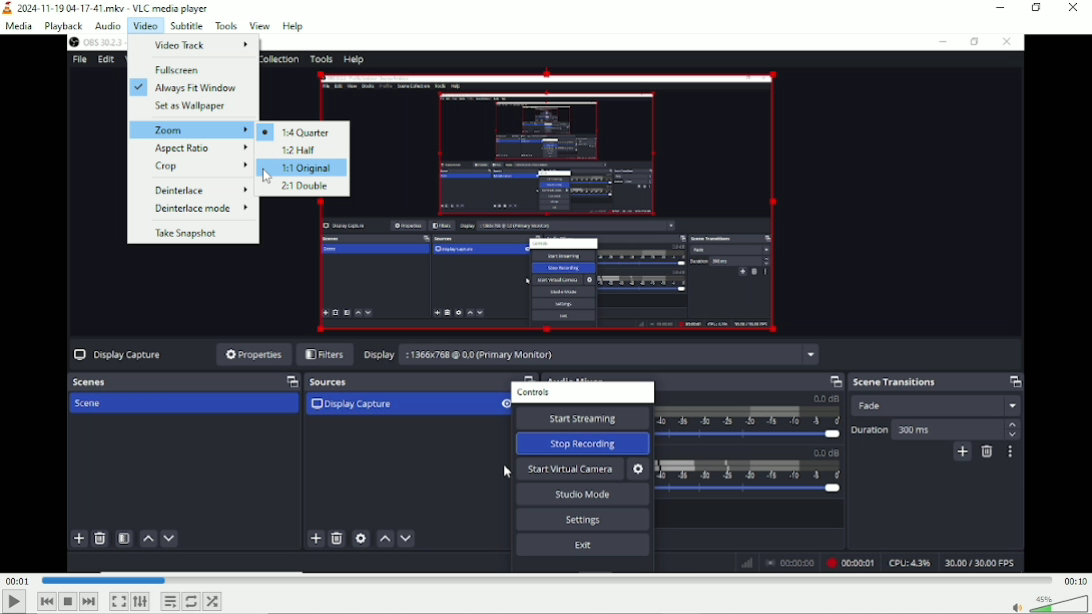  I want to click on view, so click(260, 25).